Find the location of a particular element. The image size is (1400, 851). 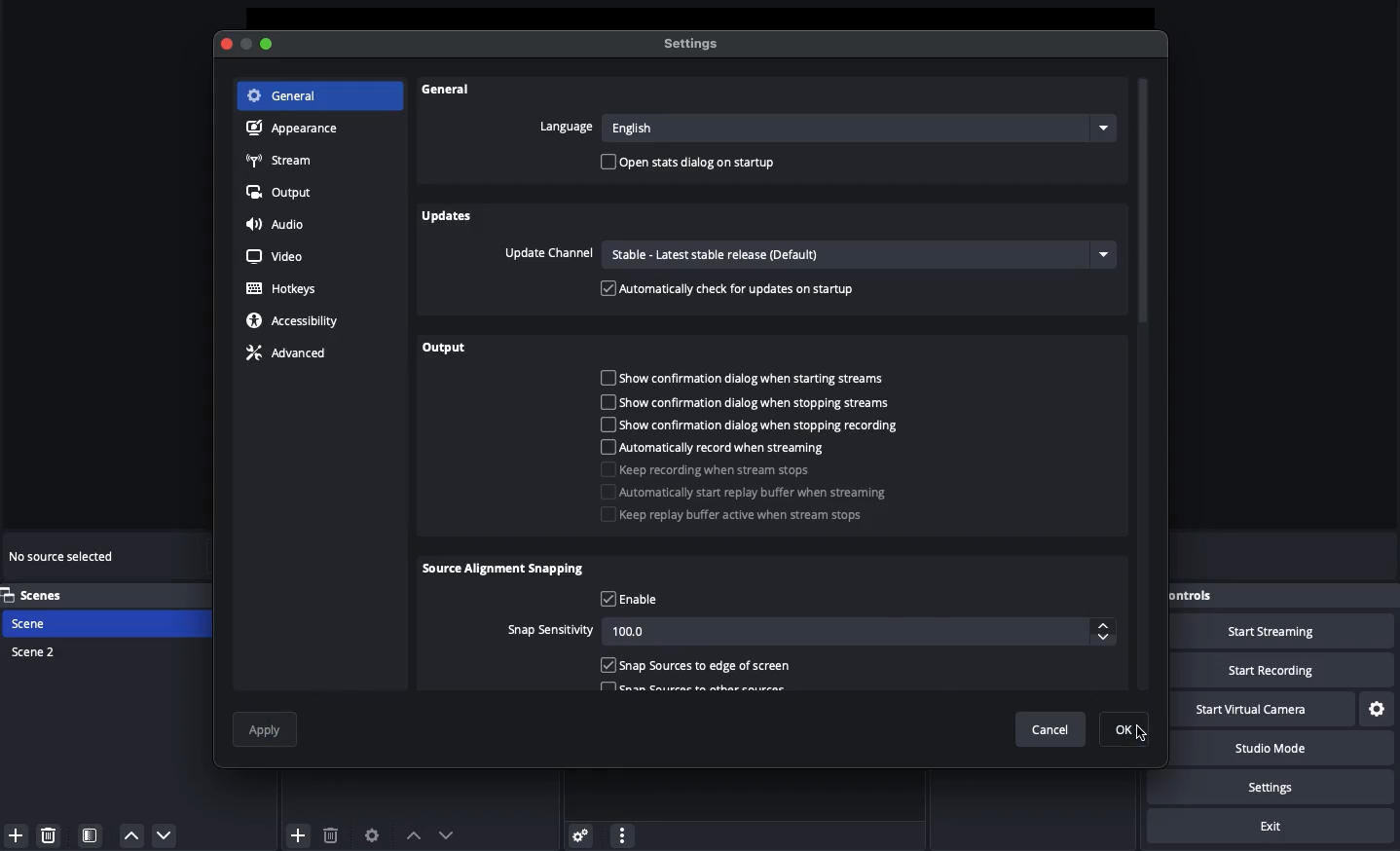

Open status dialog on startup is located at coordinates (691, 164).